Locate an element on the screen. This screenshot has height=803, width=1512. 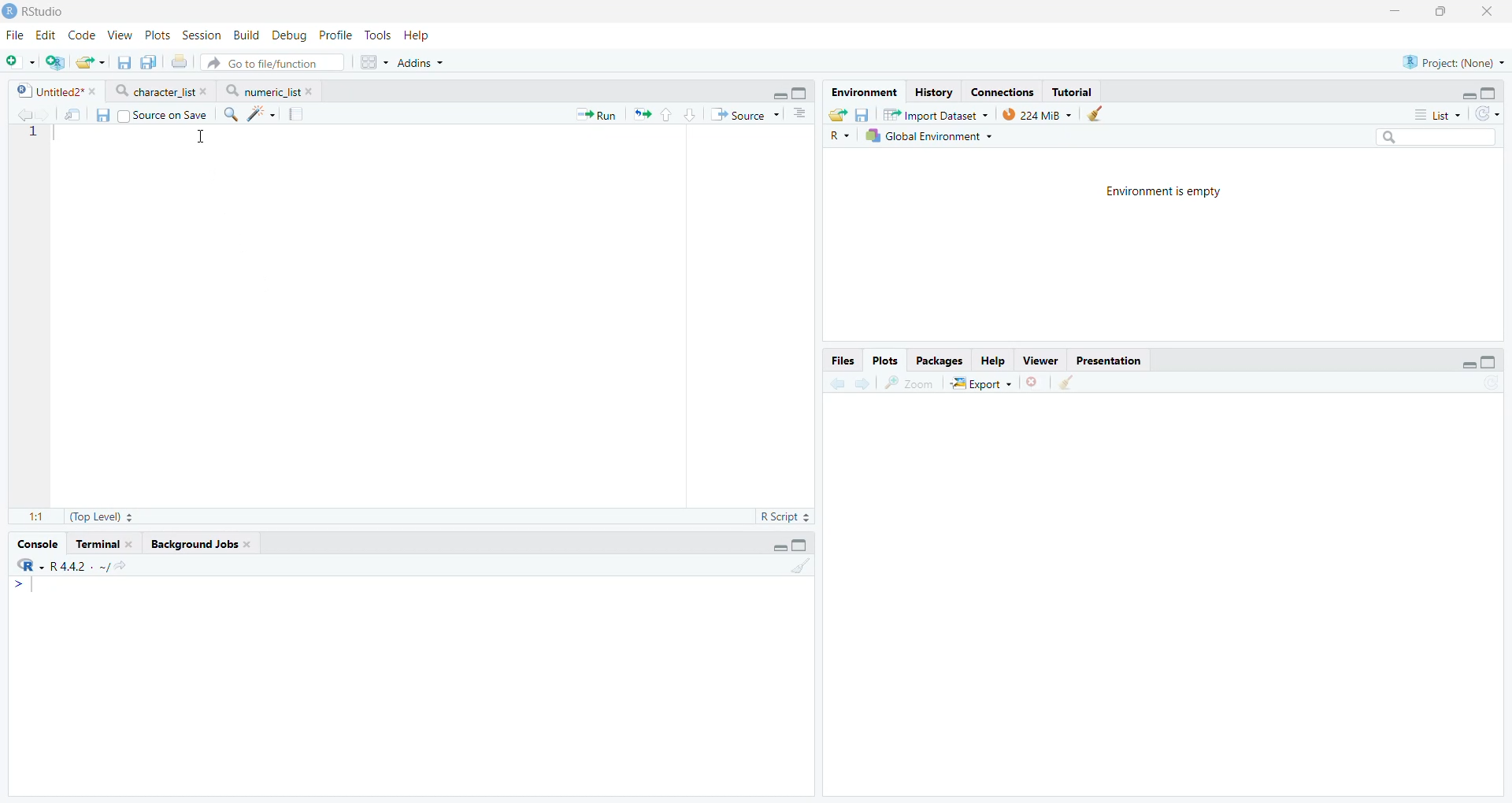
Help is located at coordinates (419, 36).